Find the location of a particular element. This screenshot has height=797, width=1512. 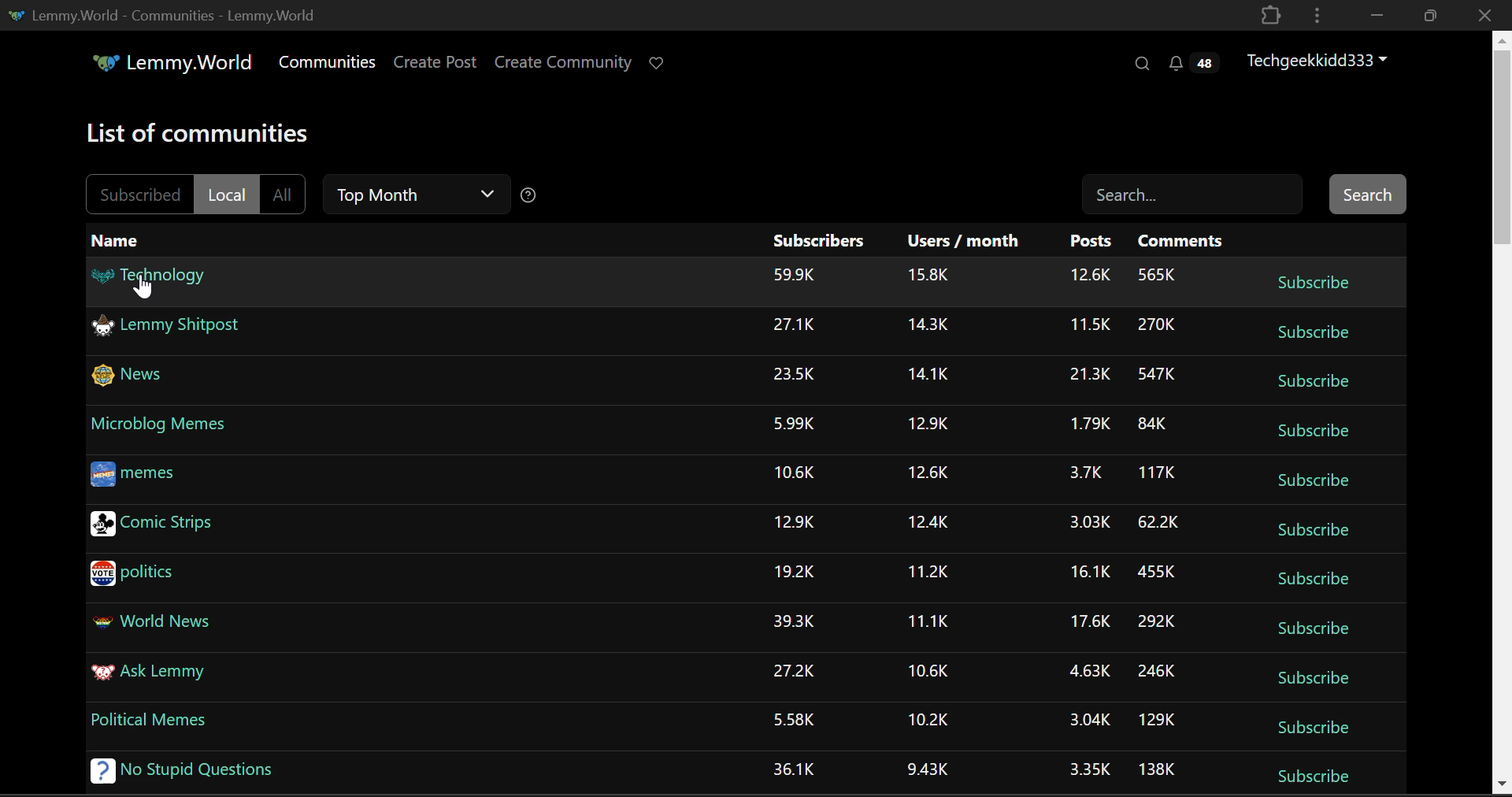

Amount is located at coordinates (930, 324).